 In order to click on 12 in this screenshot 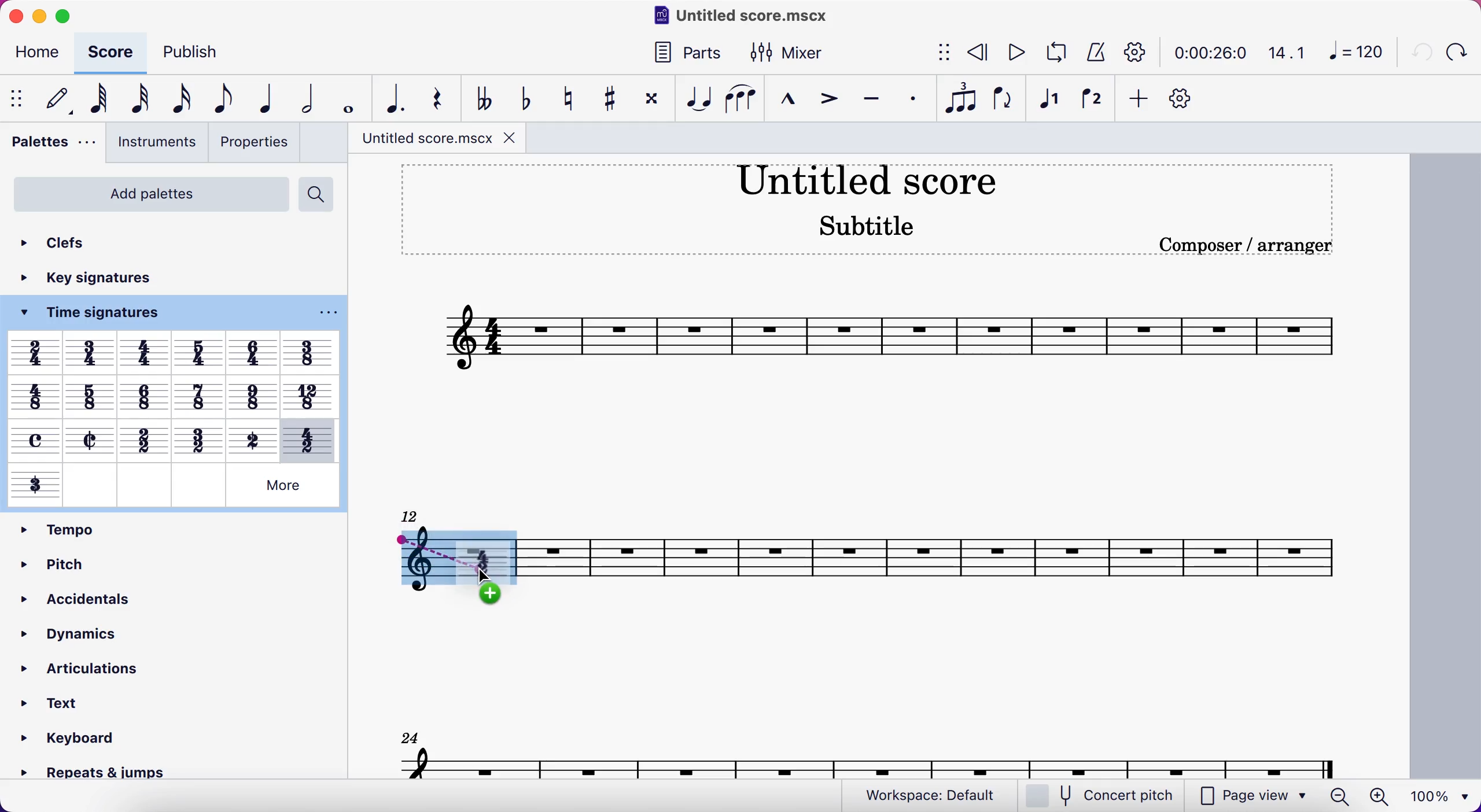, I will do `click(411, 515)`.